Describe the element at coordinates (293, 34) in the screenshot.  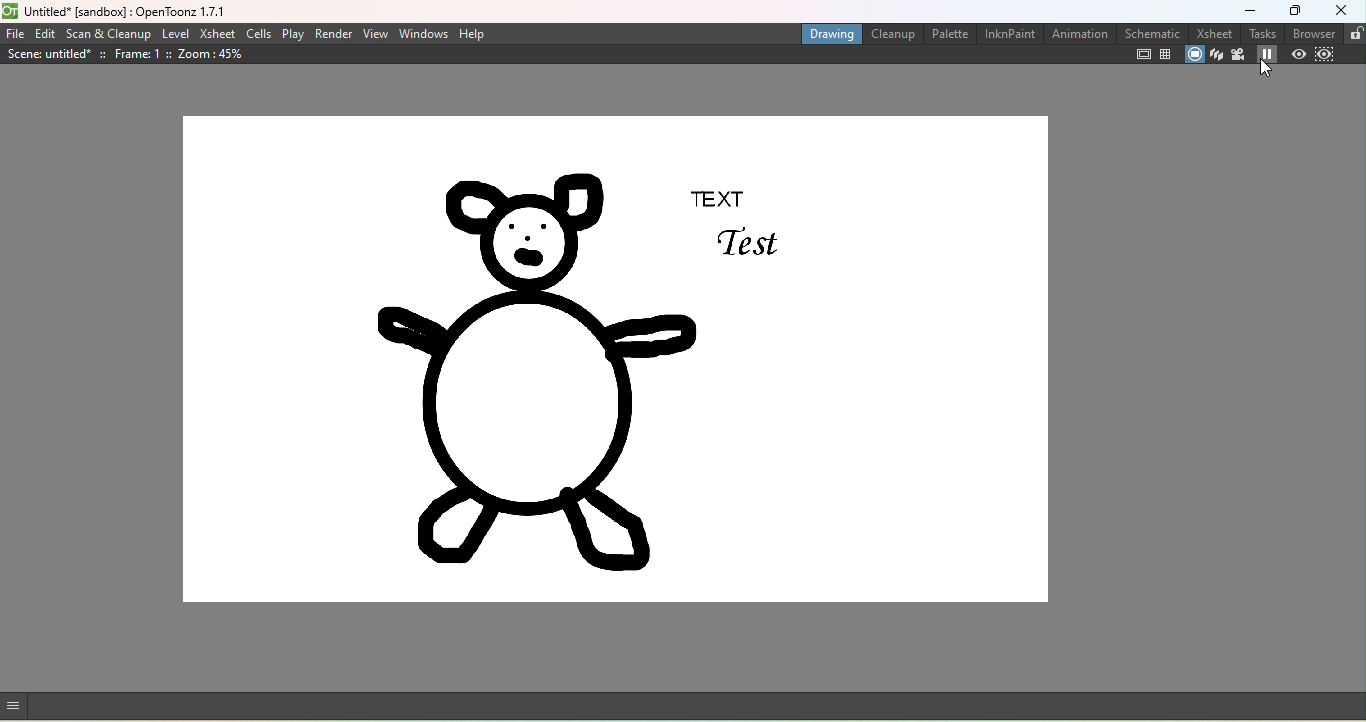
I see `Play` at that location.